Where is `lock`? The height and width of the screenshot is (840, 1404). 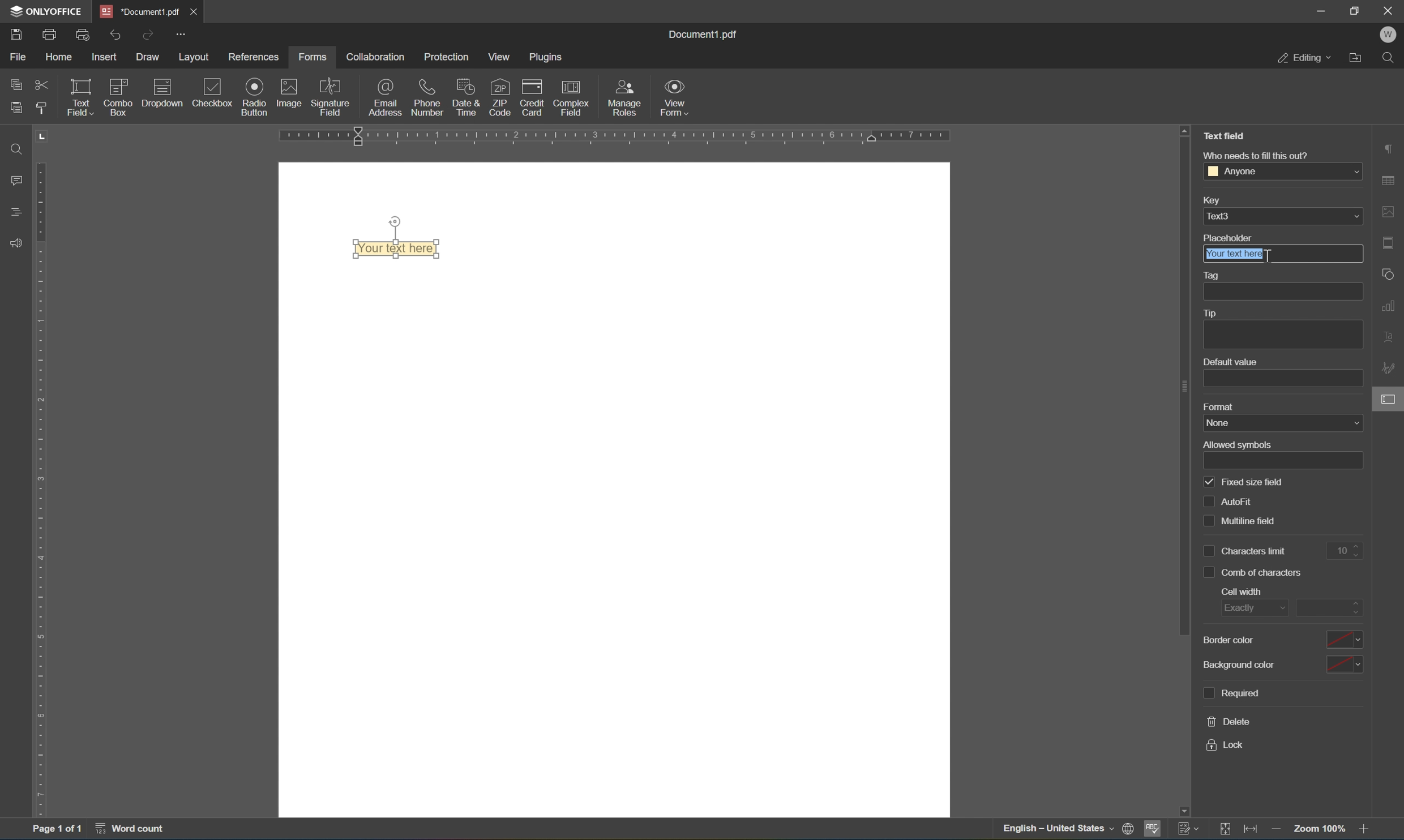
lock is located at coordinates (1226, 748).